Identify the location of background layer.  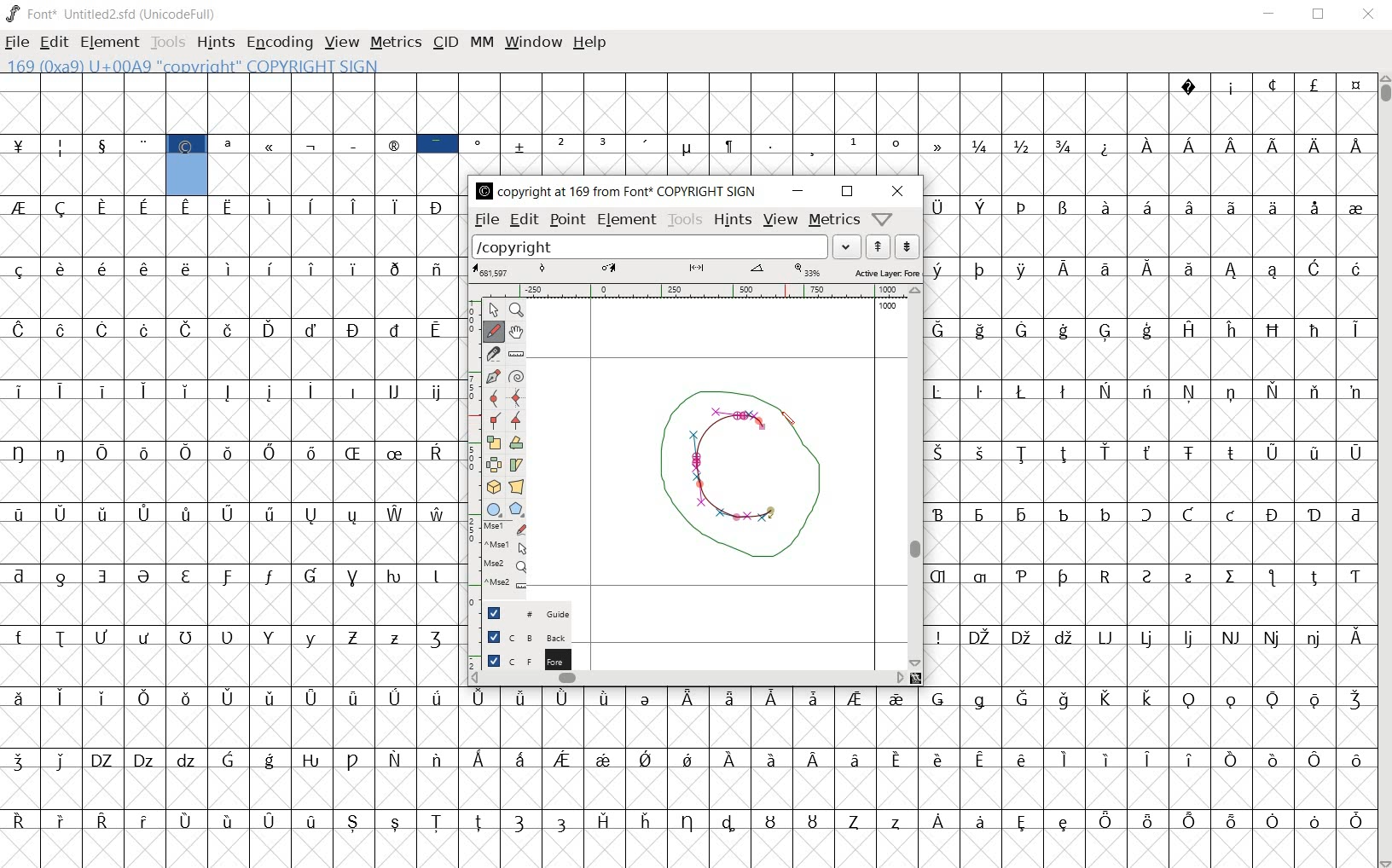
(519, 637).